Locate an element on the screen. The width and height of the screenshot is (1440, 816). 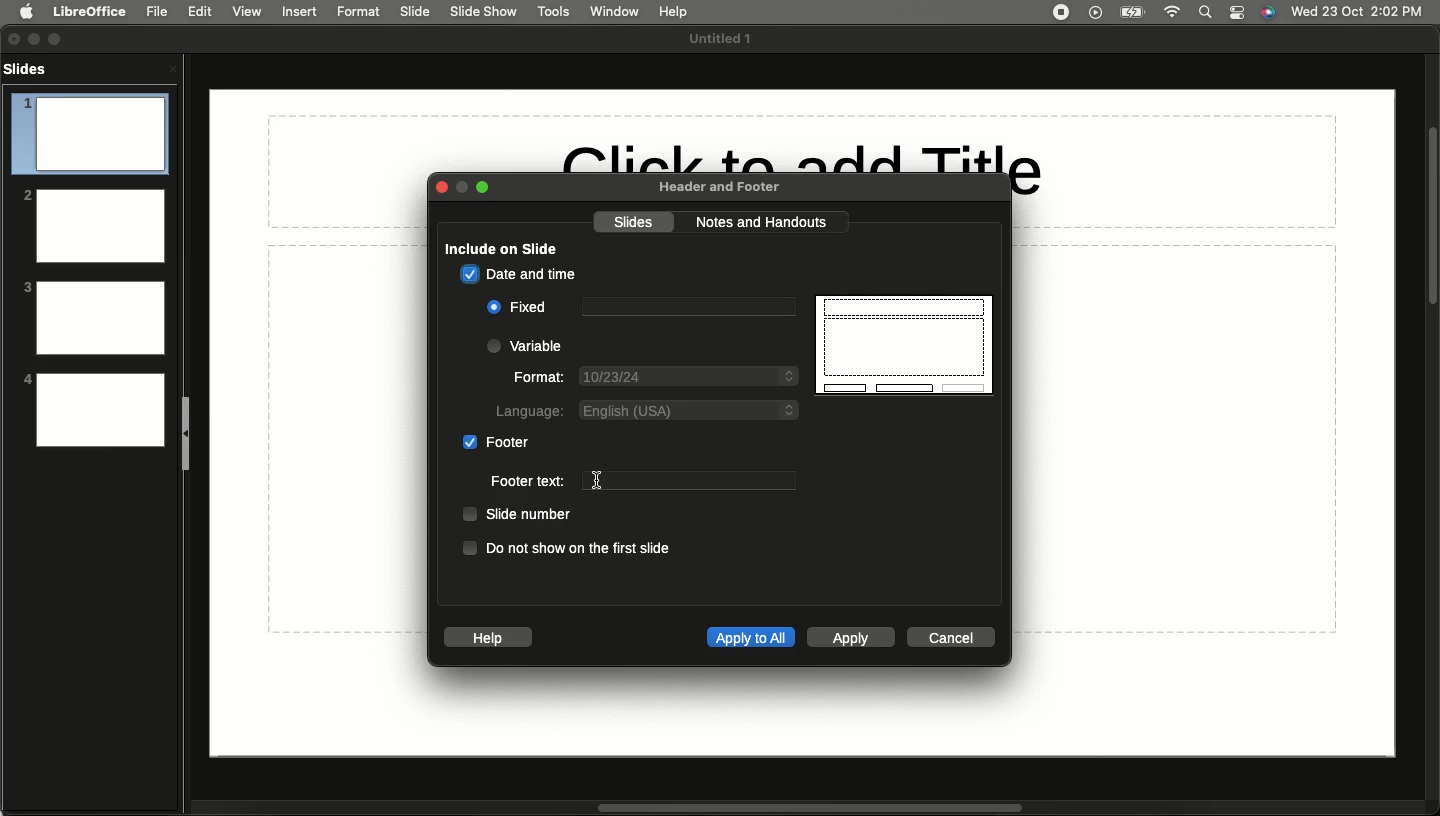
Apply is located at coordinates (849, 638).